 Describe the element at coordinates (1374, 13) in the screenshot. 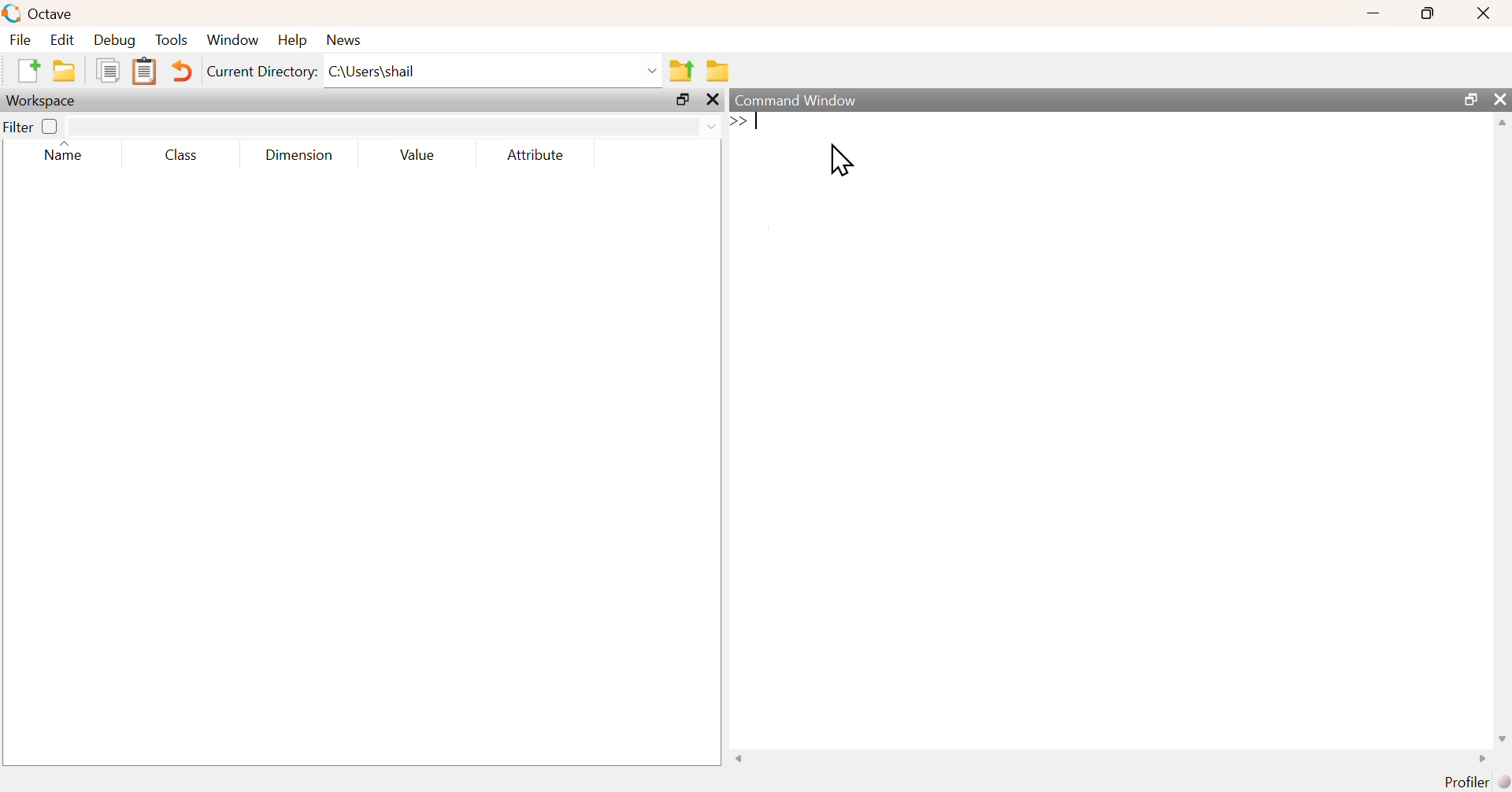

I see `Minimize` at that location.